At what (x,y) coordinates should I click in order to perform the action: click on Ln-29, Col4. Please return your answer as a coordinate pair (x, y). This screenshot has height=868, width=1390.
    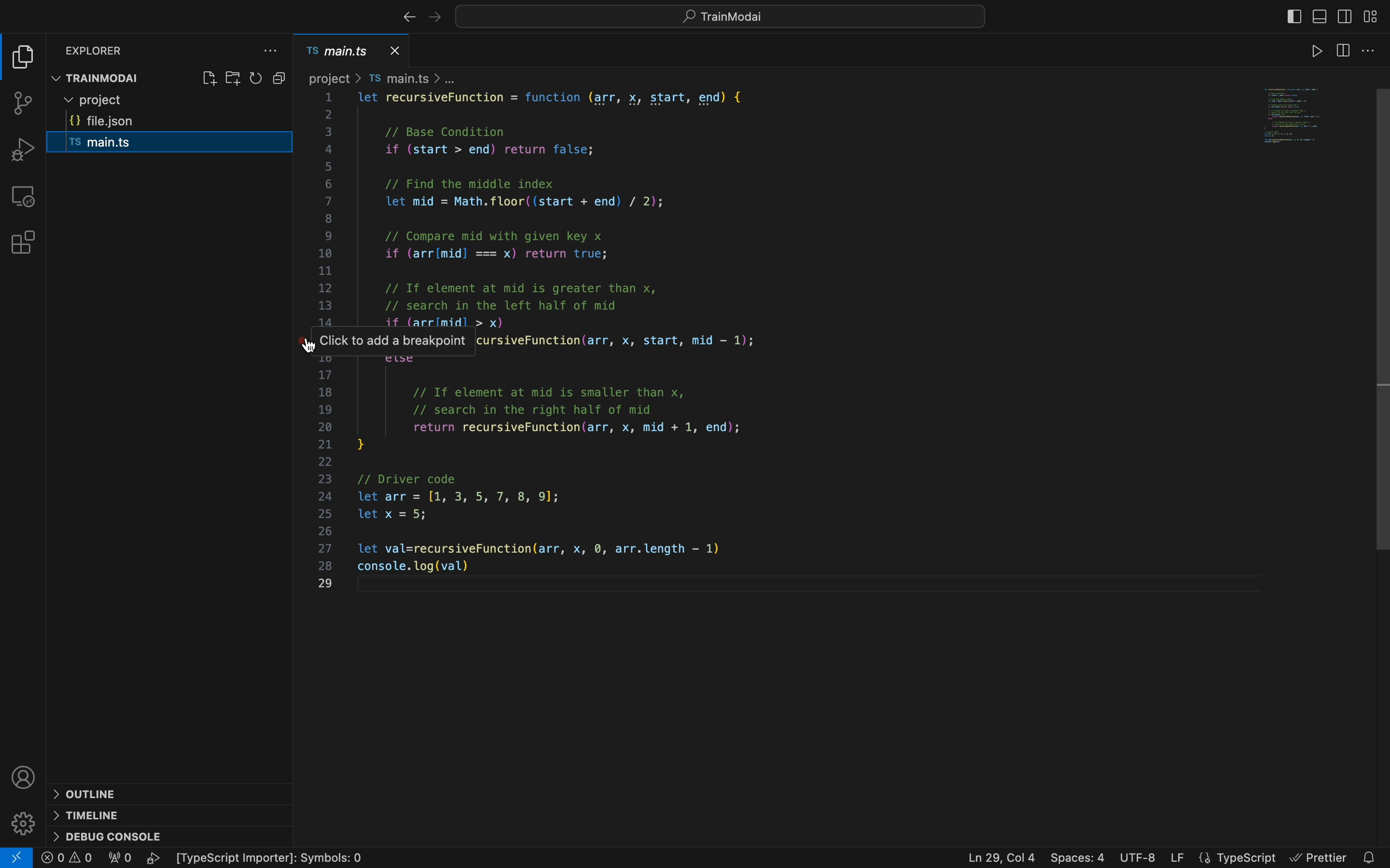
    Looking at the image, I should click on (991, 856).